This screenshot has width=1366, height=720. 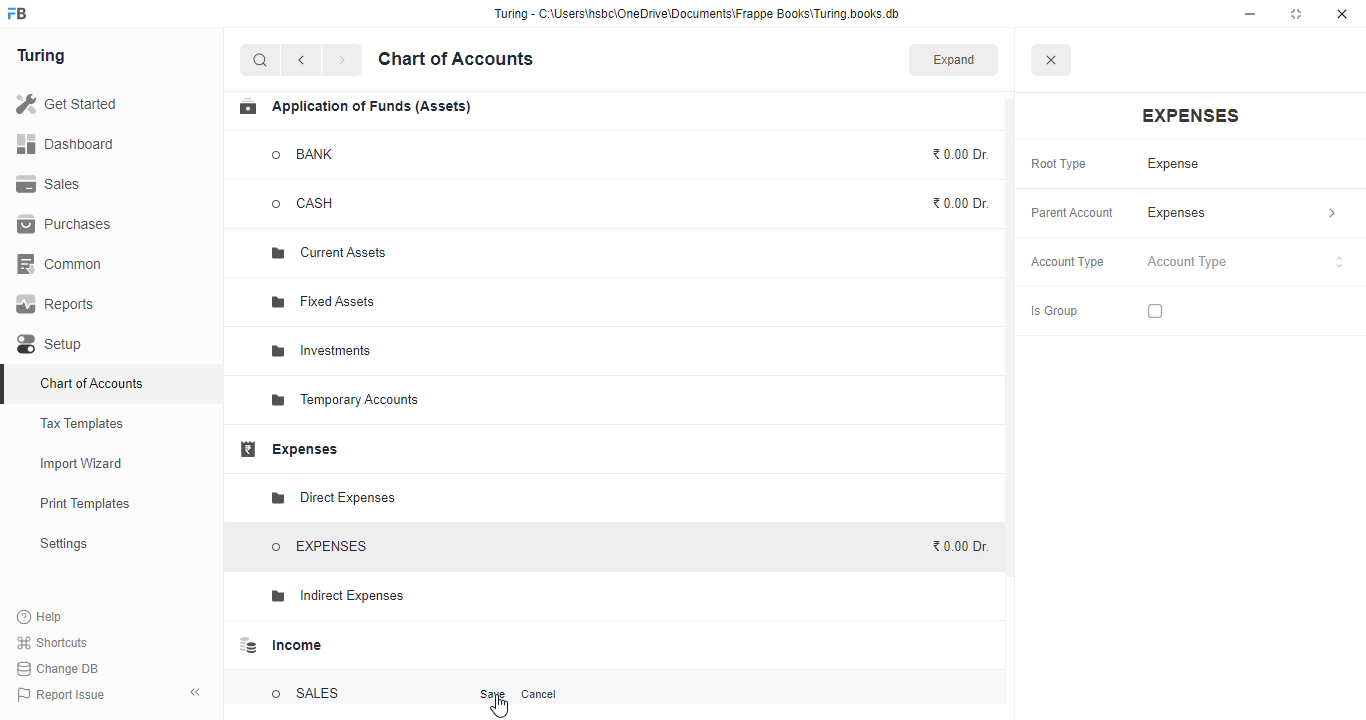 What do you see at coordinates (85, 503) in the screenshot?
I see `print templates` at bounding box center [85, 503].